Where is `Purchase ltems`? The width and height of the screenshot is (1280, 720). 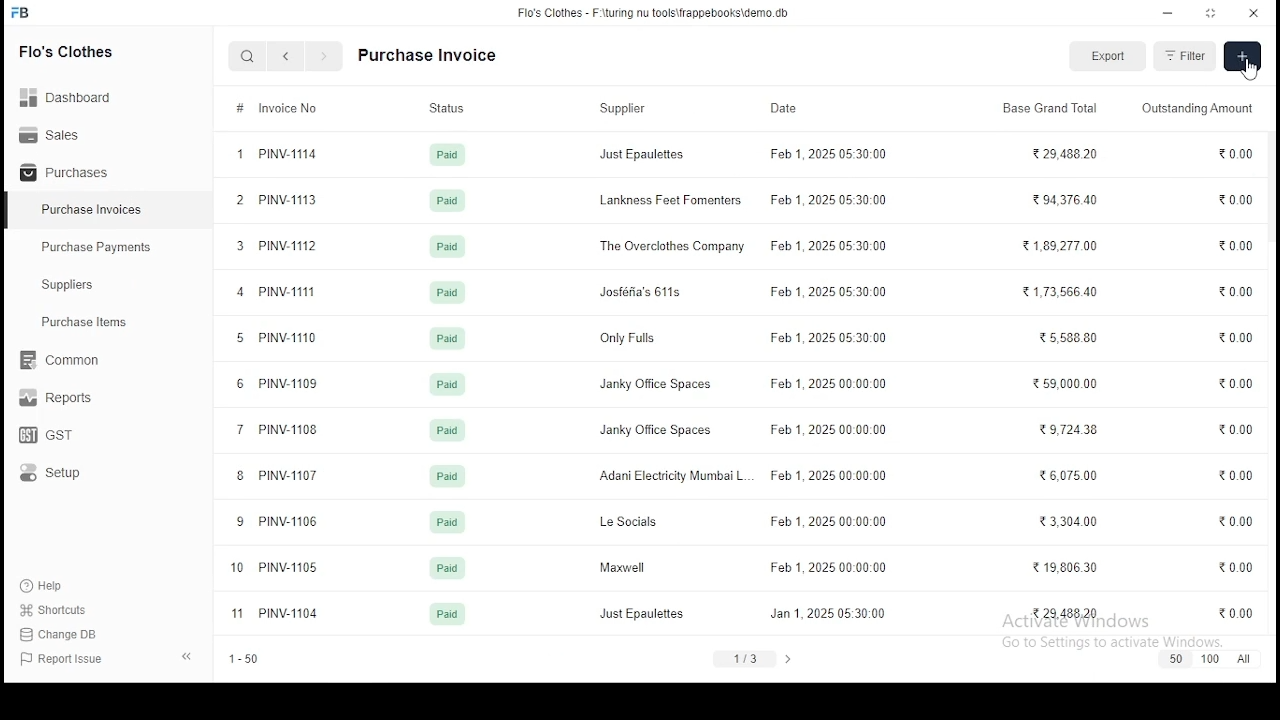 Purchase ltems is located at coordinates (75, 323).